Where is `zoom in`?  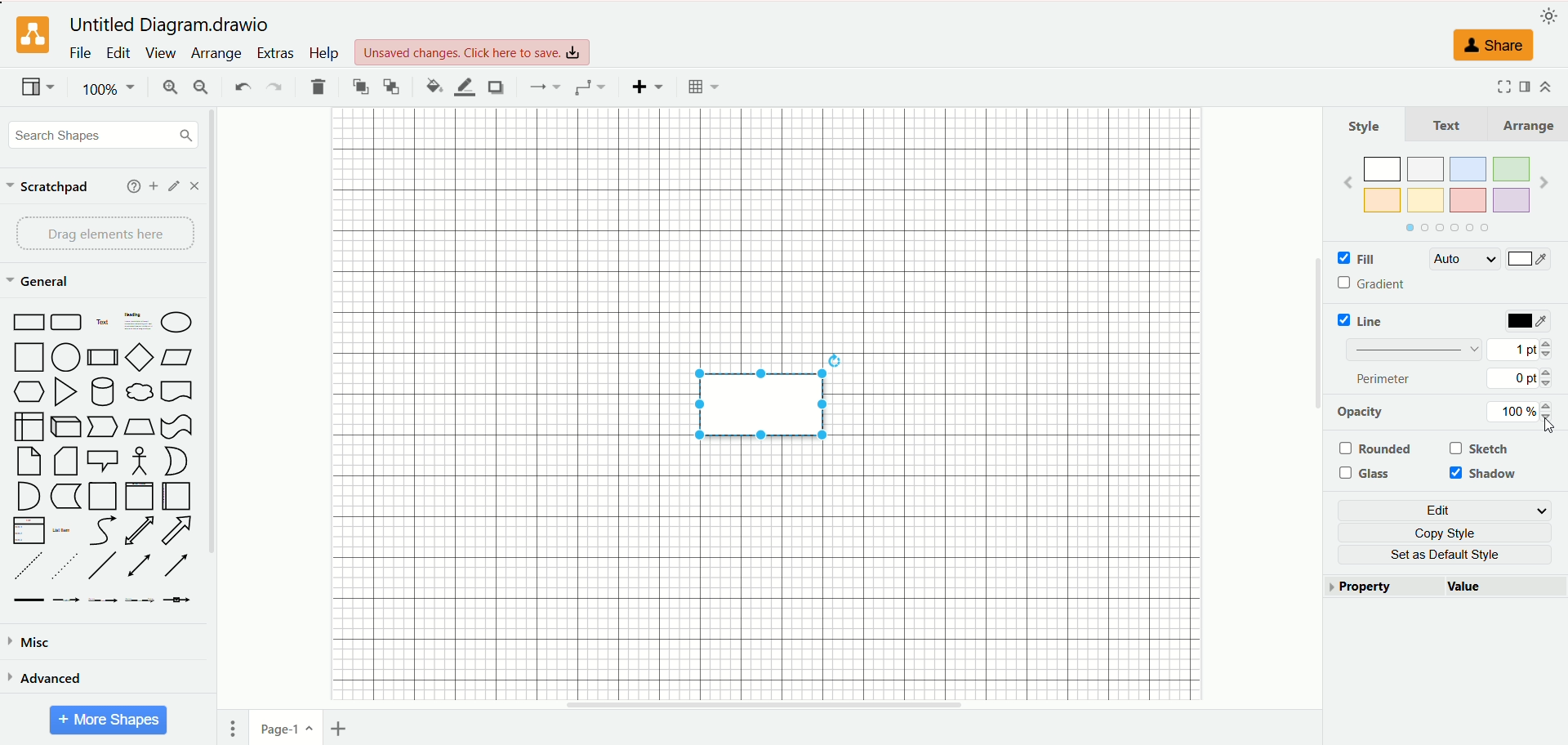
zoom in is located at coordinates (167, 89).